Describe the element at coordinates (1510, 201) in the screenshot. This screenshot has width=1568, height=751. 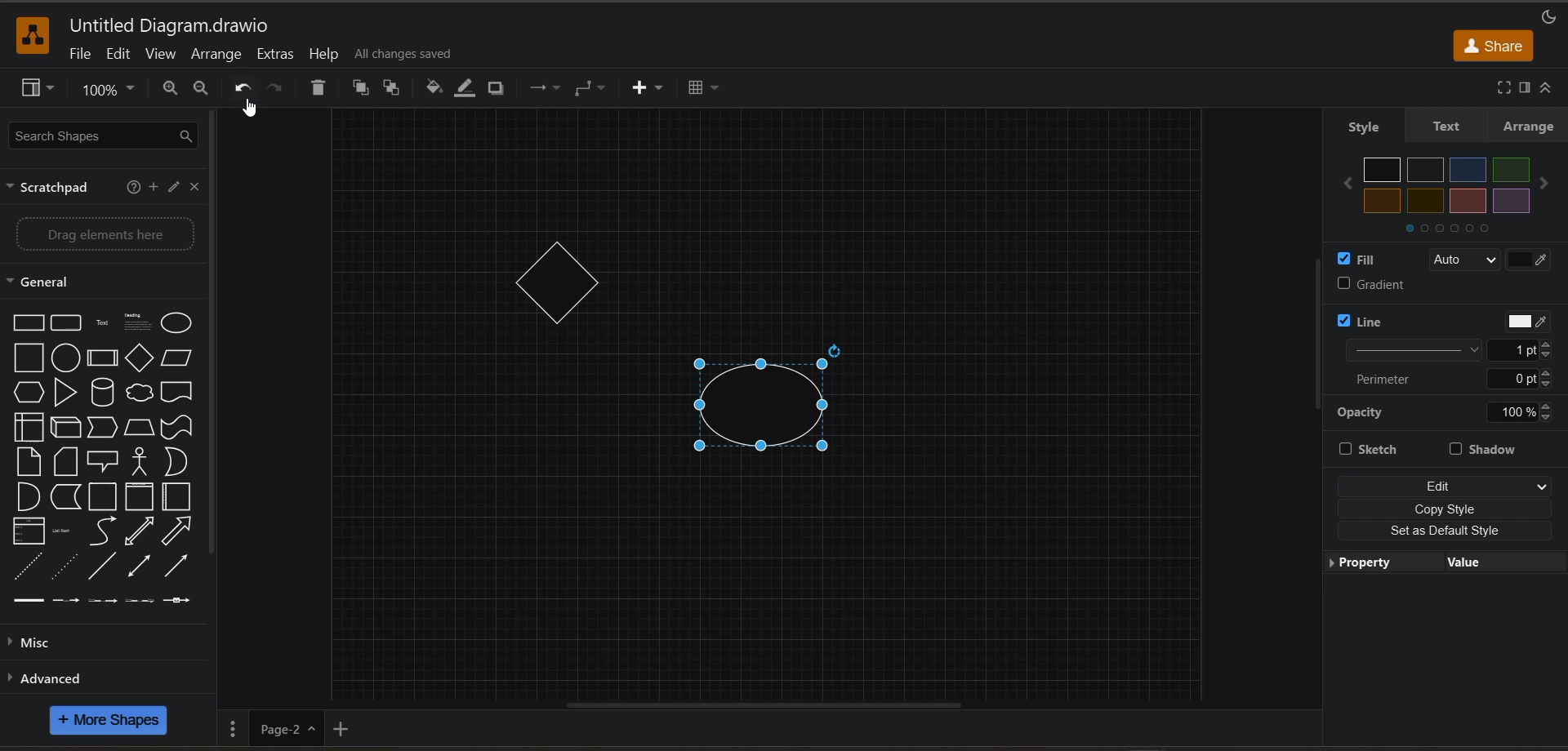
I see `Color 8` at that location.